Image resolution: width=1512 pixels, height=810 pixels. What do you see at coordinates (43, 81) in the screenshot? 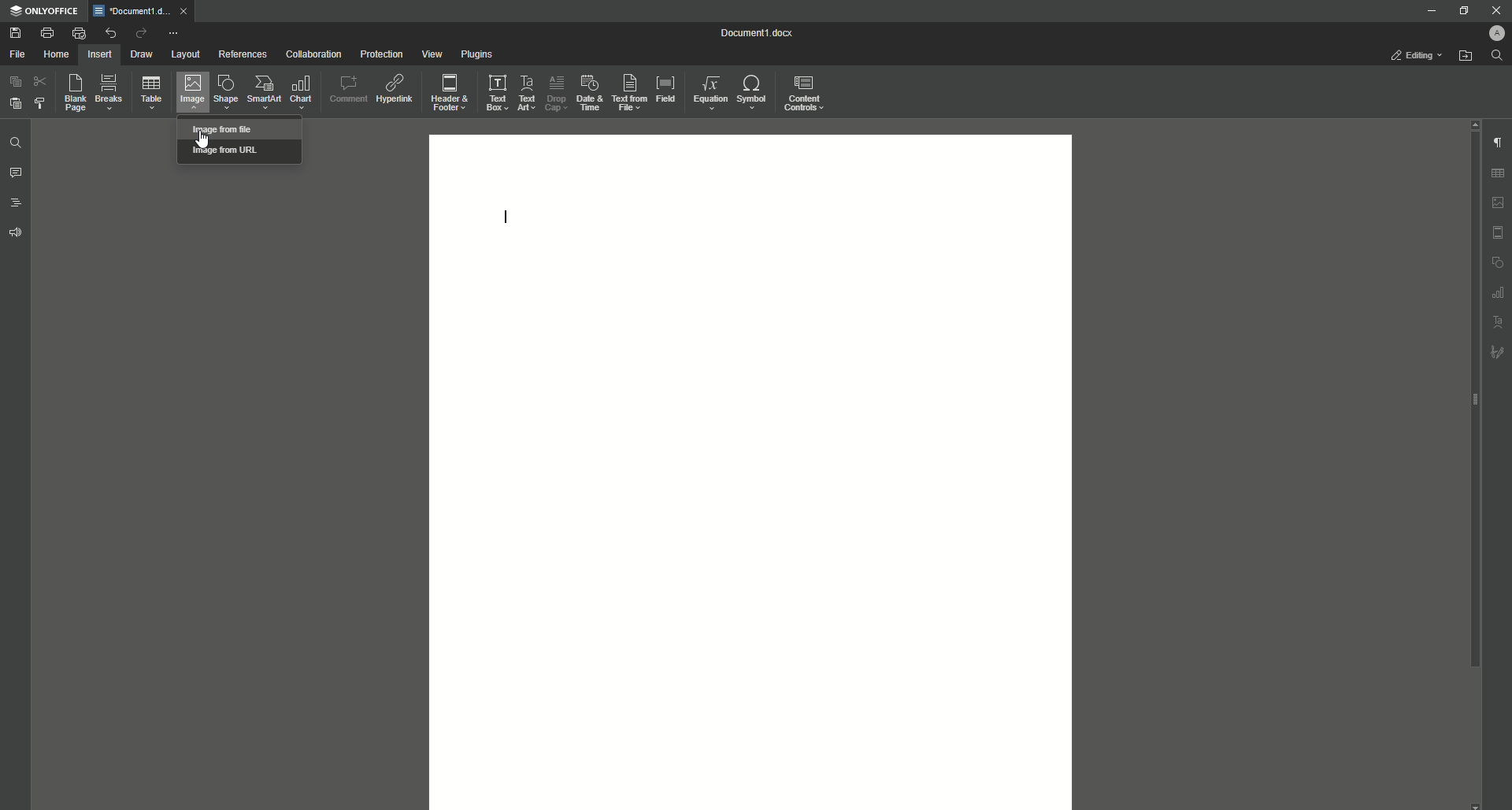
I see `Cut` at bounding box center [43, 81].